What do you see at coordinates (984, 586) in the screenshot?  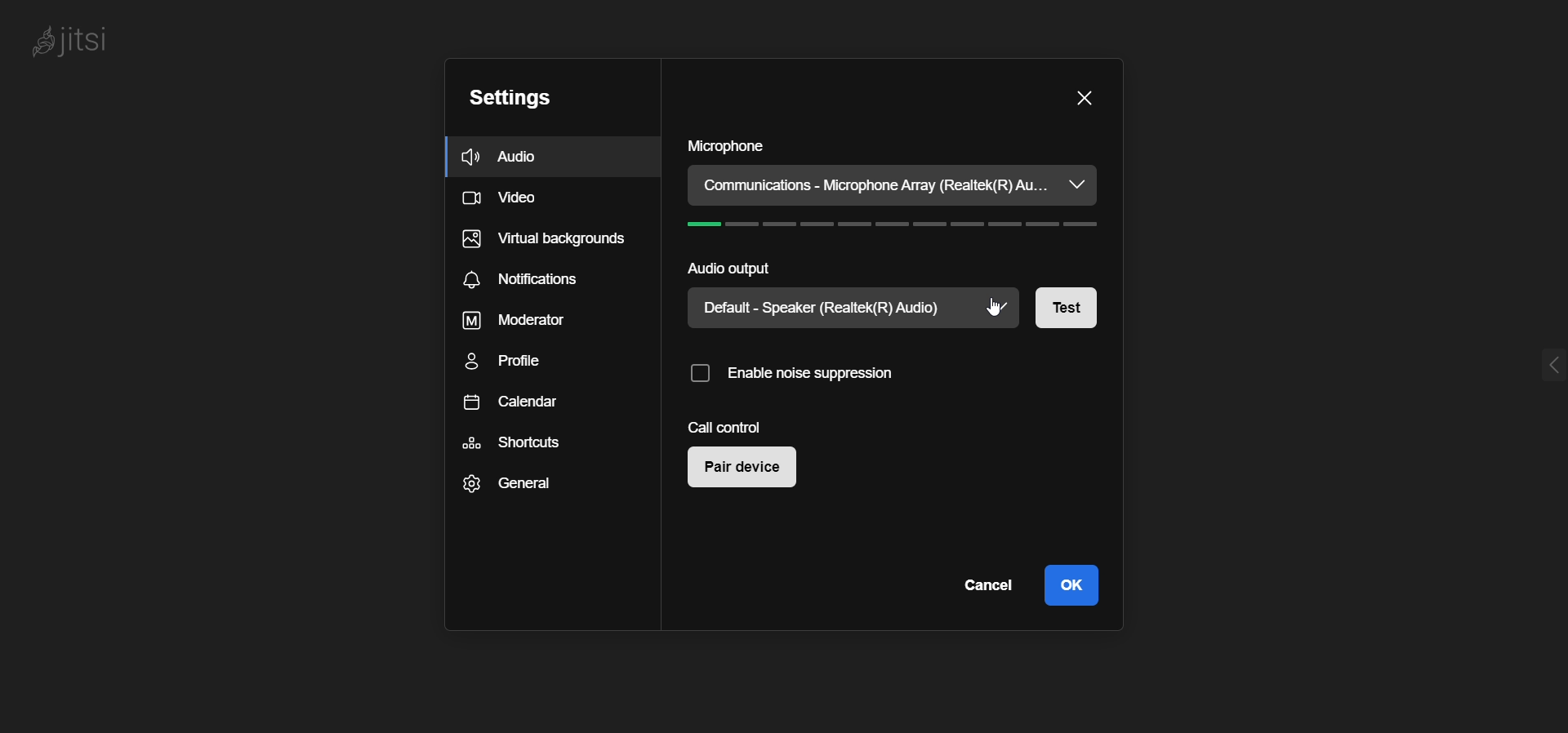 I see `cancel` at bounding box center [984, 586].